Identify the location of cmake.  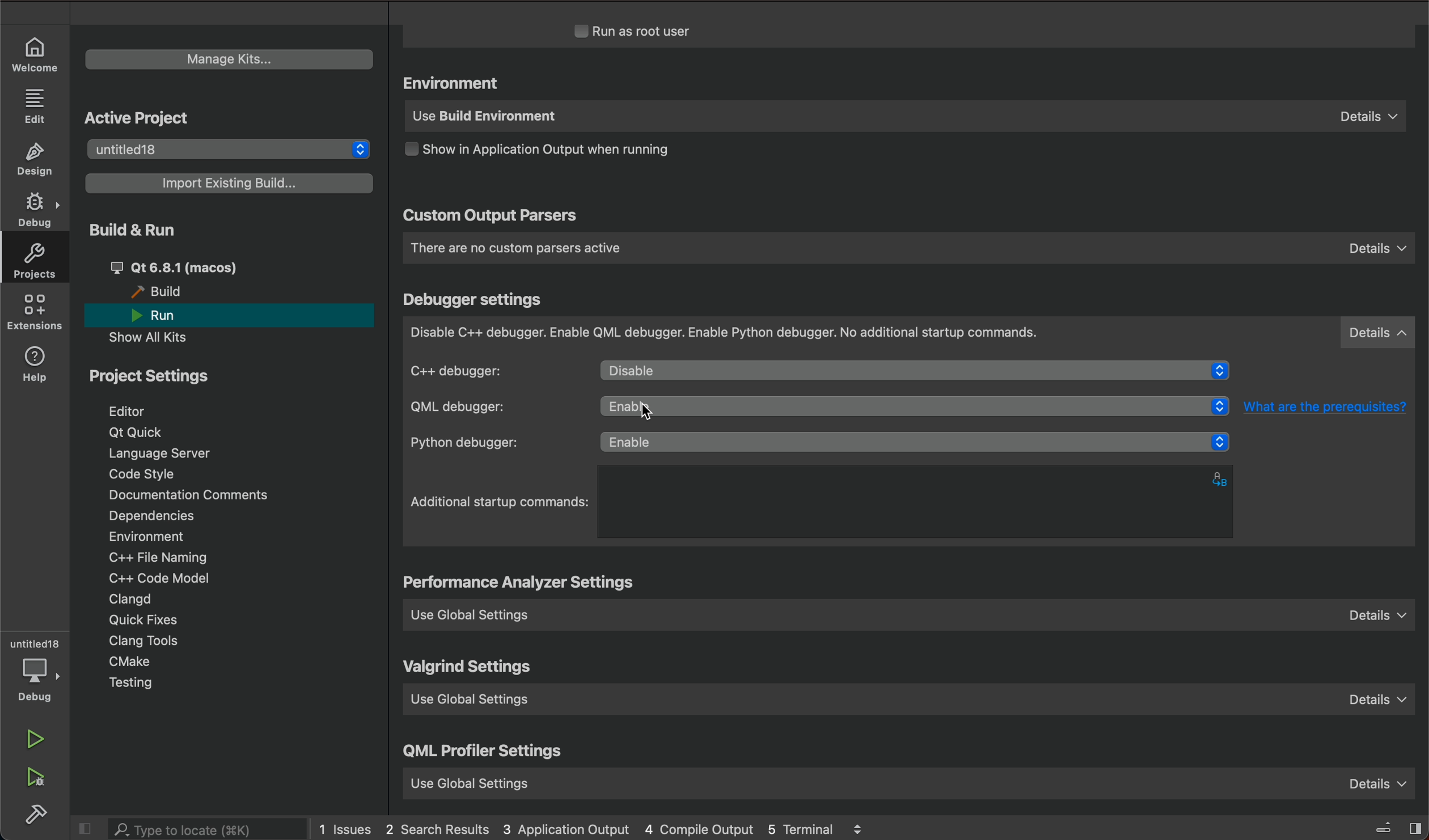
(130, 661).